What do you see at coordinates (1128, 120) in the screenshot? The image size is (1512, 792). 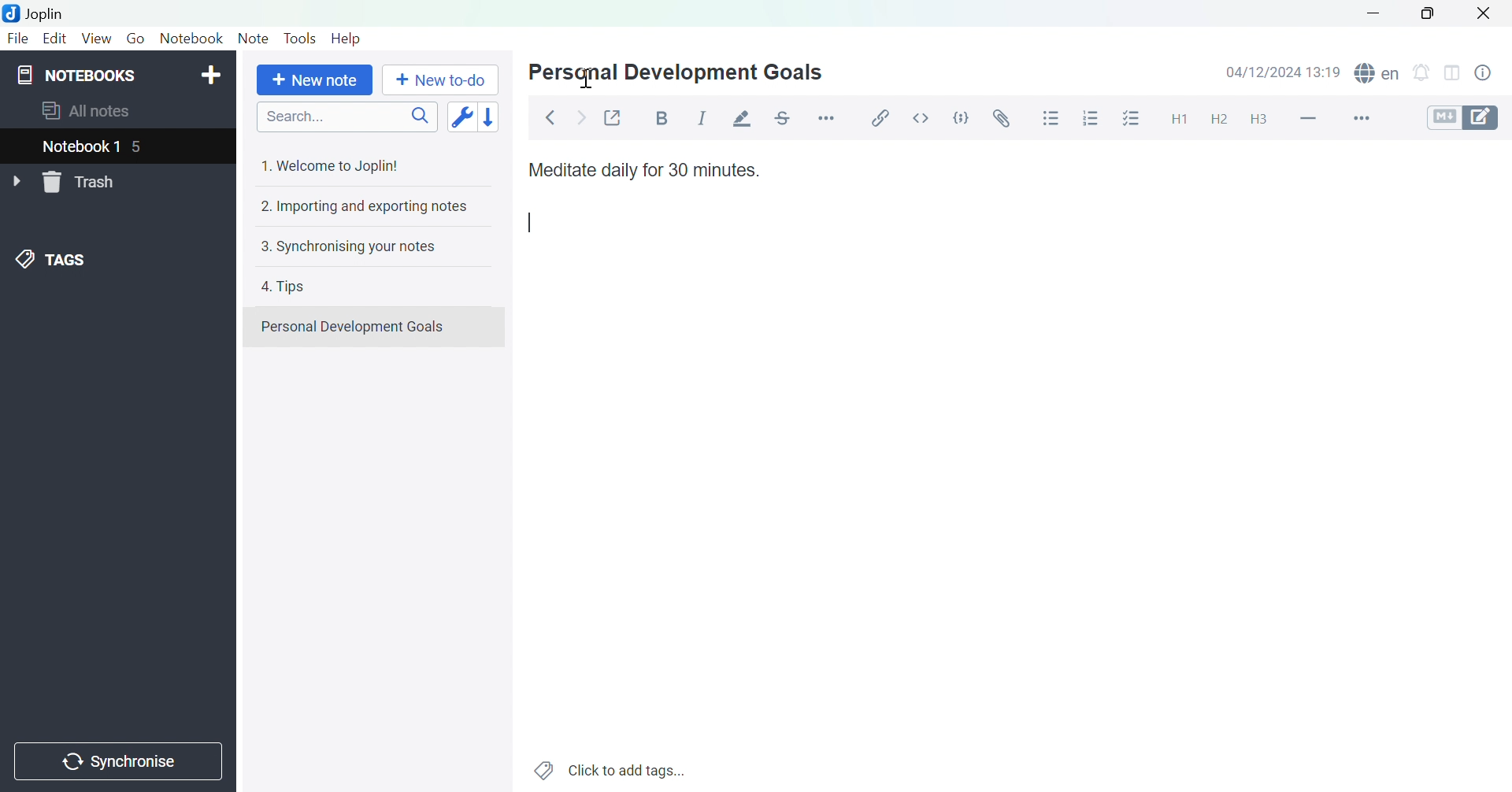 I see `Checkbox list` at bounding box center [1128, 120].